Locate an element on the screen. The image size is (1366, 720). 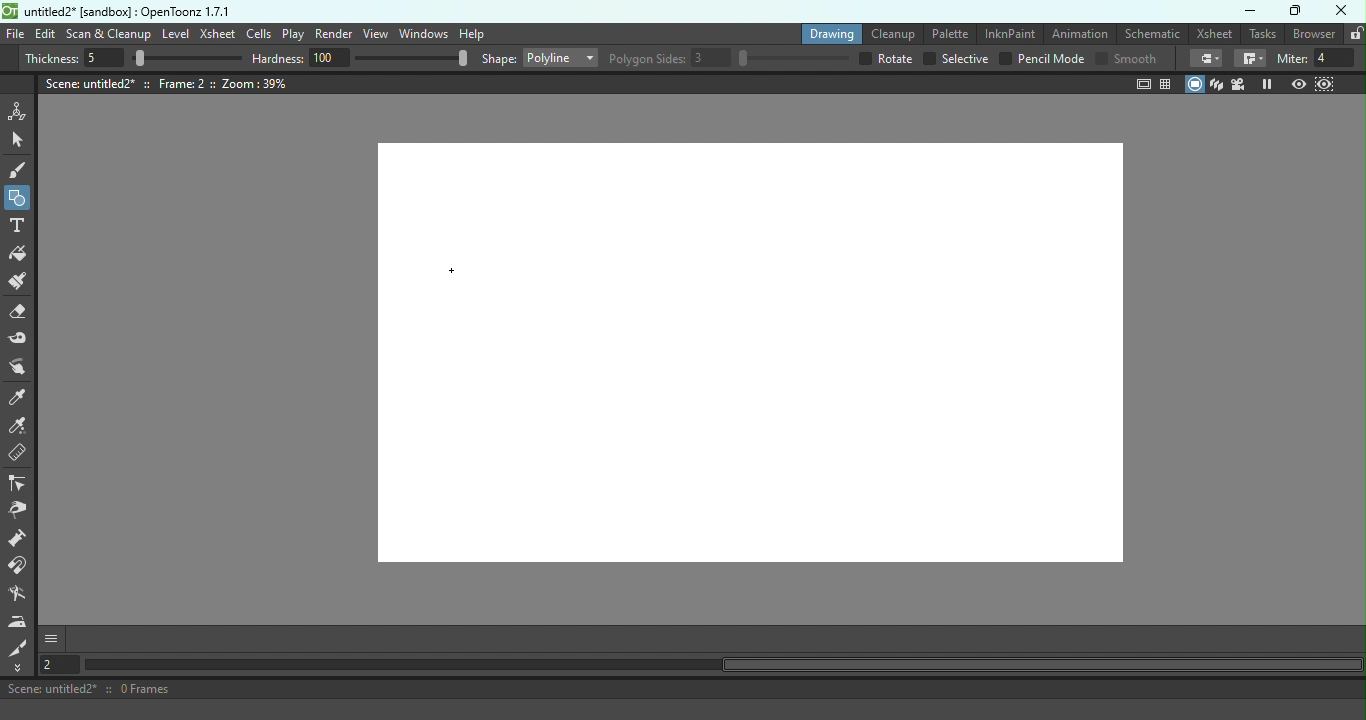
Lock rooms tab is located at coordinates (1356, 34).